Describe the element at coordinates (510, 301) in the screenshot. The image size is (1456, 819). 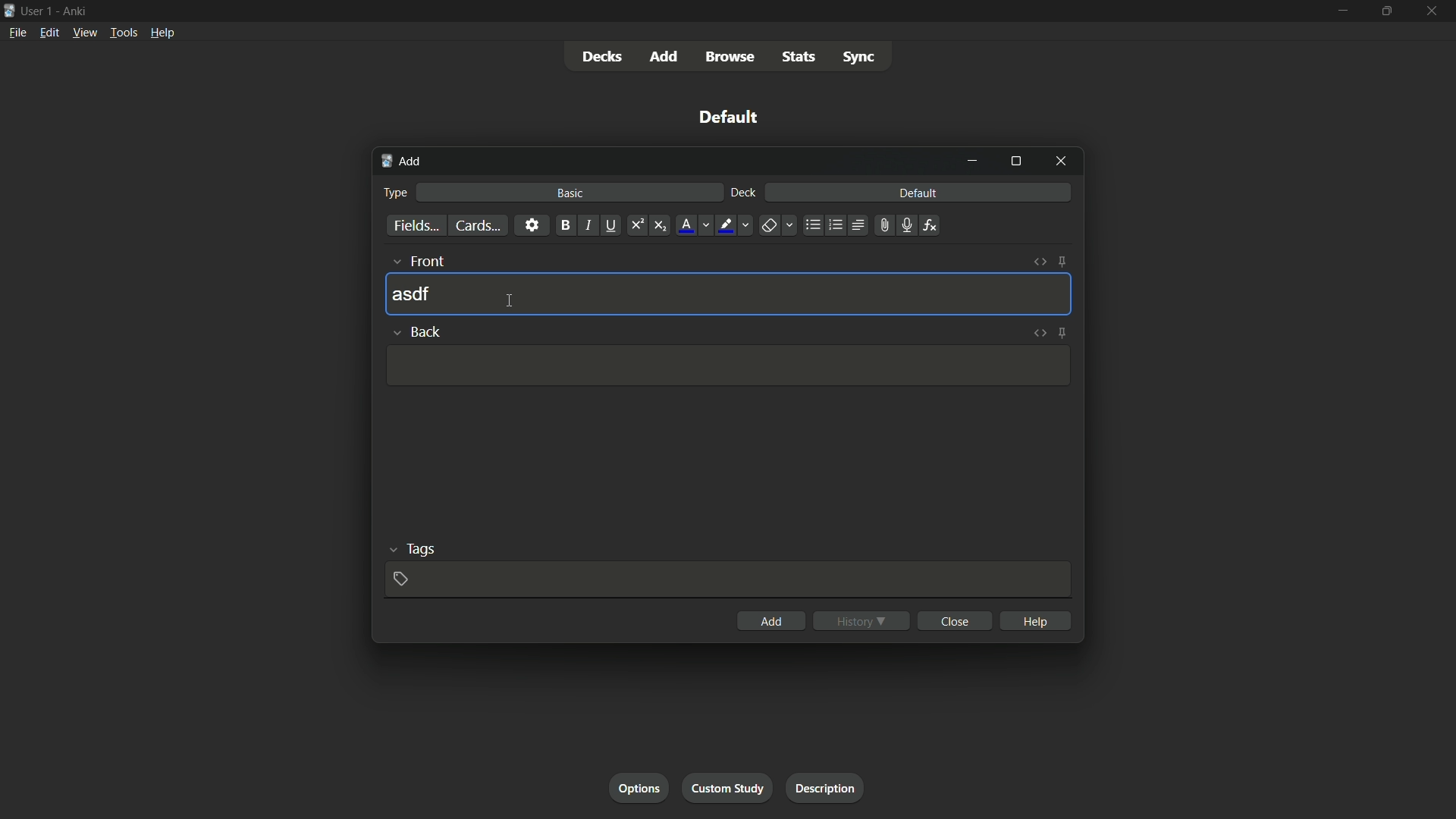
I see `cursor` at that location.